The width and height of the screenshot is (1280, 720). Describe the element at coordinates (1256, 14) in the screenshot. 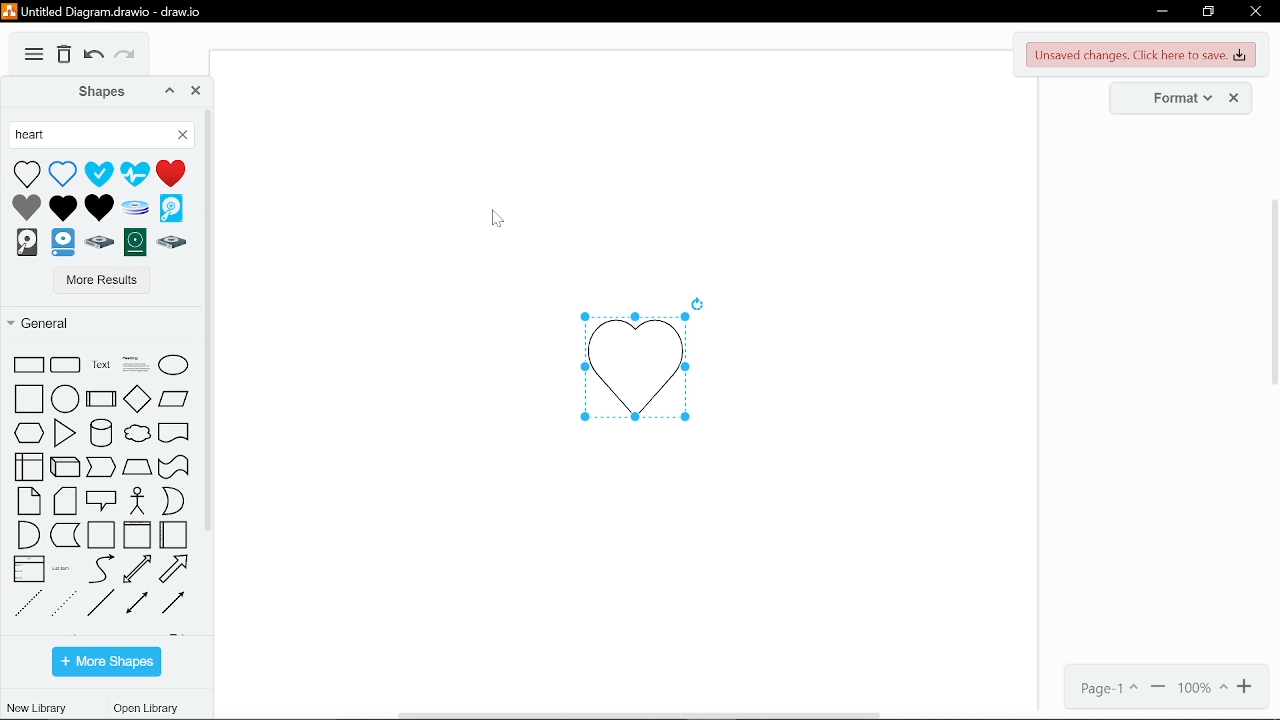

I see `close` at that location.